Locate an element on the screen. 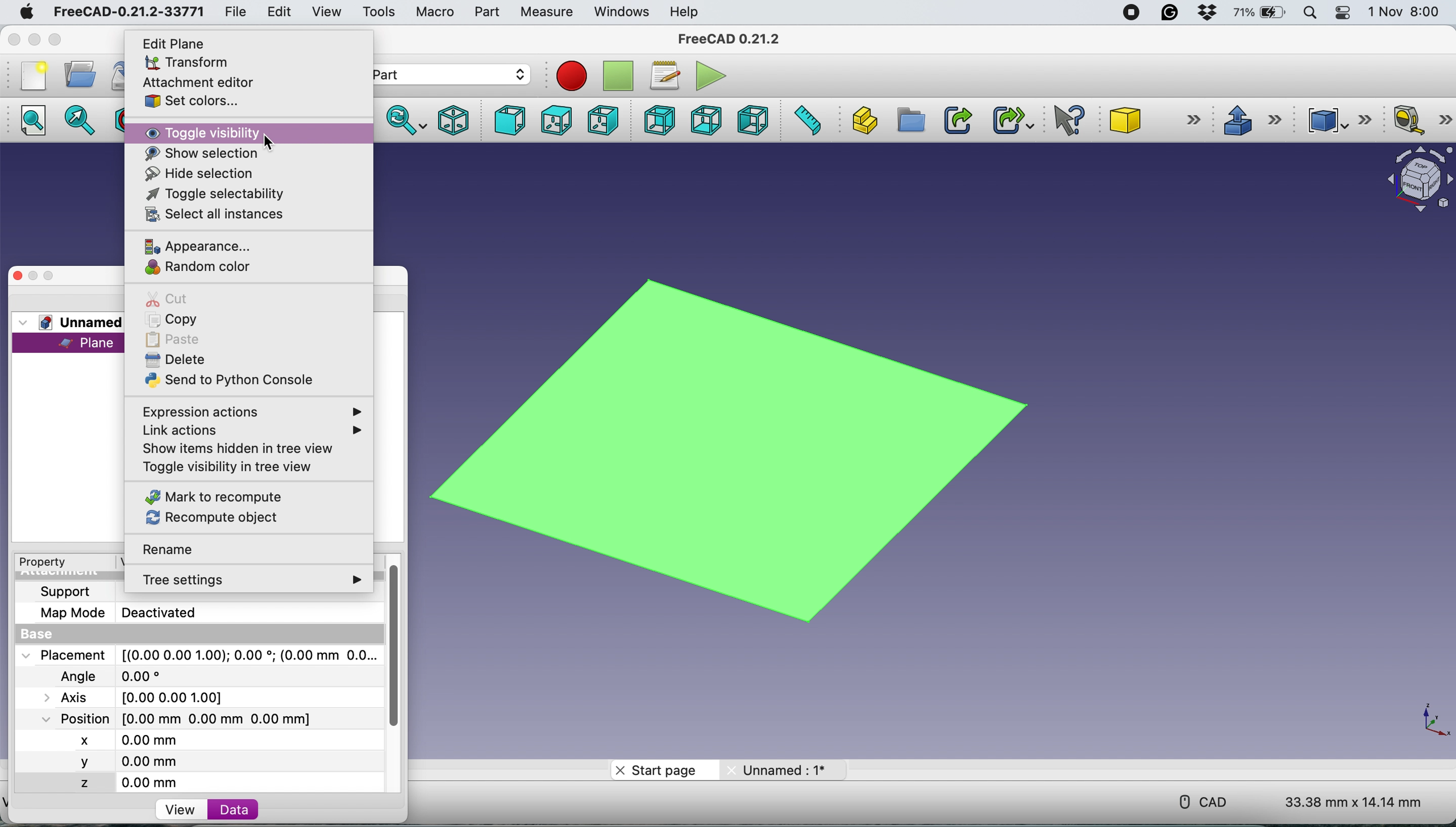 This screenshot has width=1456, height=827. 1 Nov 8:00 is located at coordinates (1404, 14).